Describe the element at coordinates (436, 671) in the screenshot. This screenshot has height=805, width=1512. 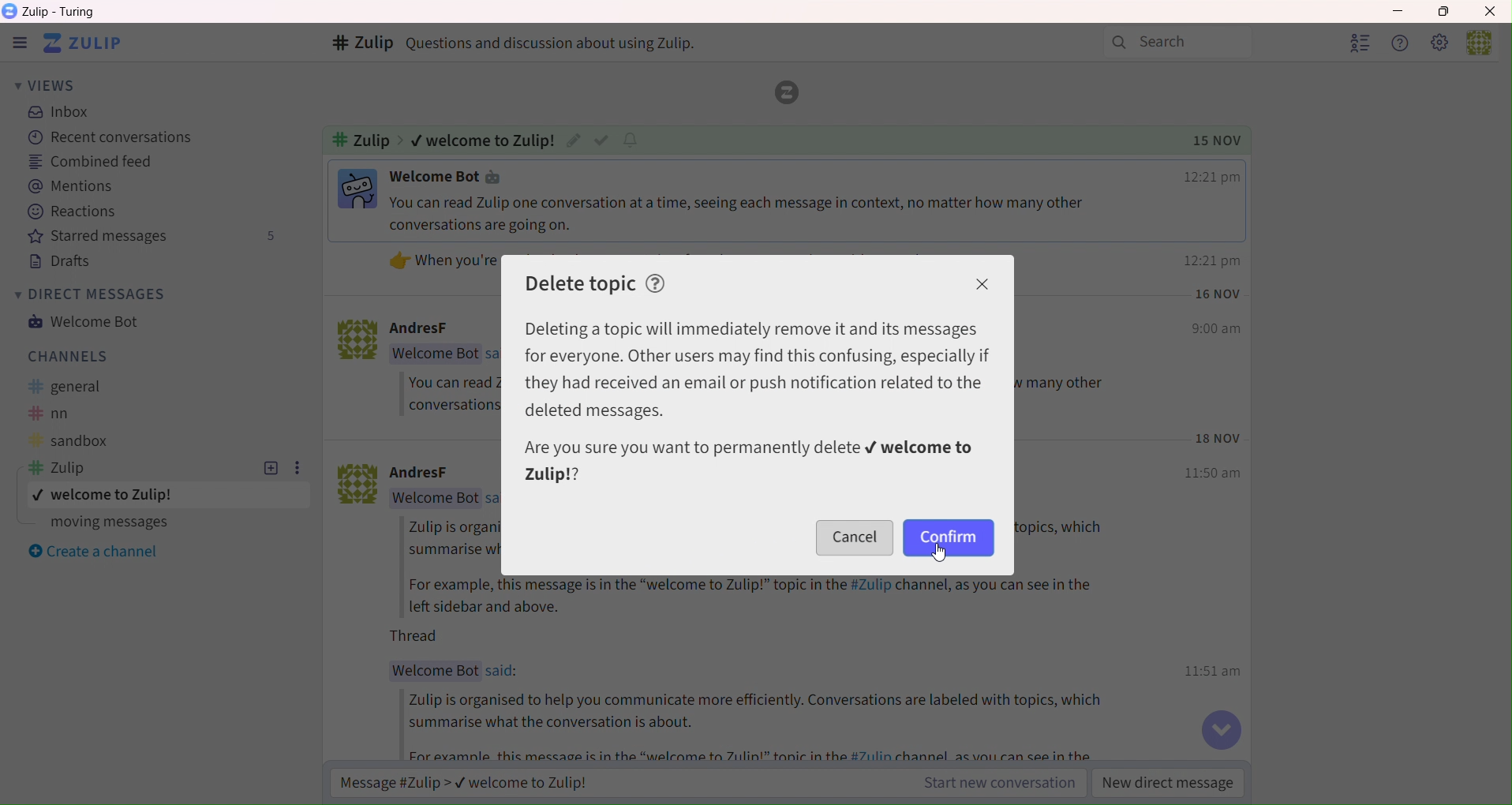
I see `Text` at that location.